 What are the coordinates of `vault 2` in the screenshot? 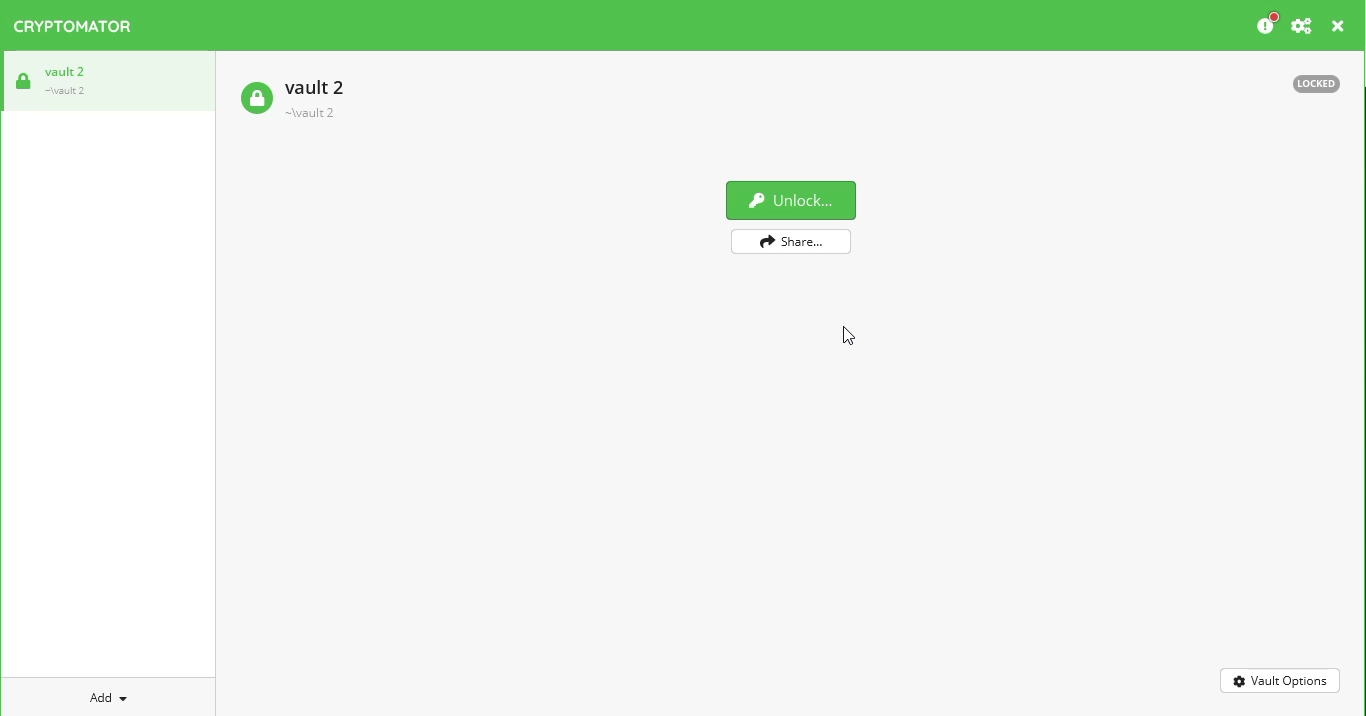 It's located at (296, 99).